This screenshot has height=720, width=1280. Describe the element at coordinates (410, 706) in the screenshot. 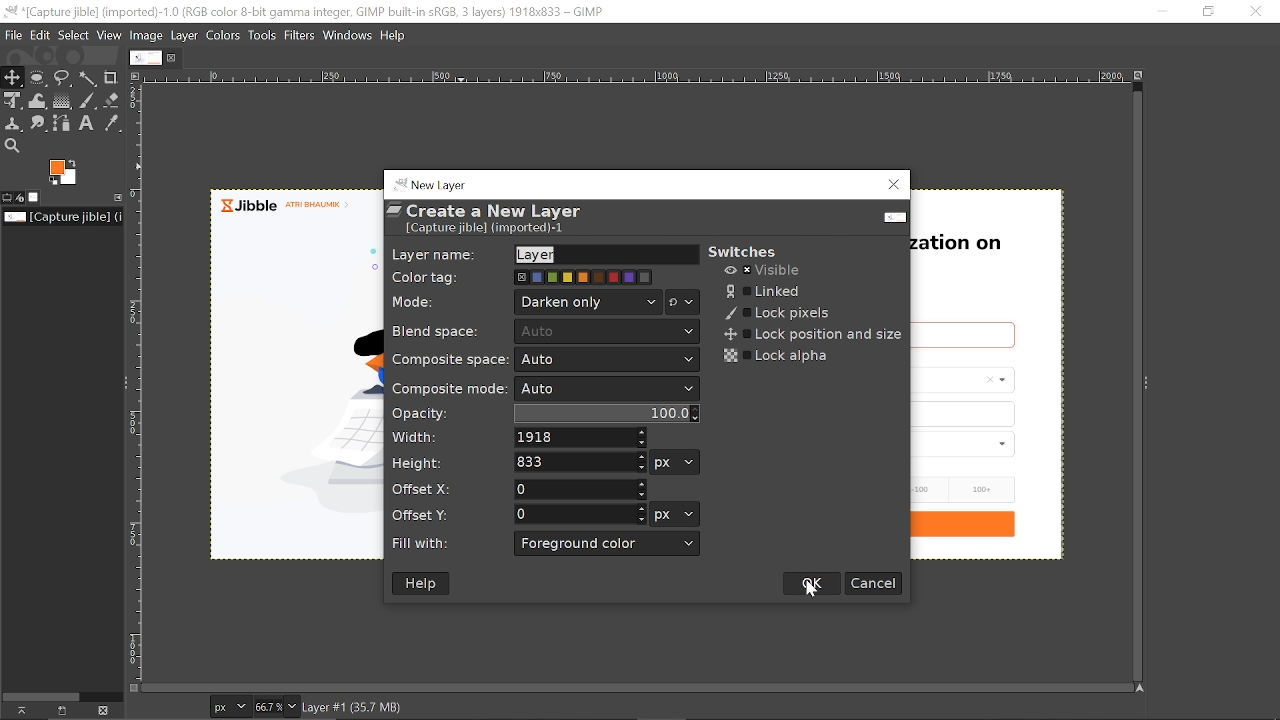

I see `Image info` at that location.